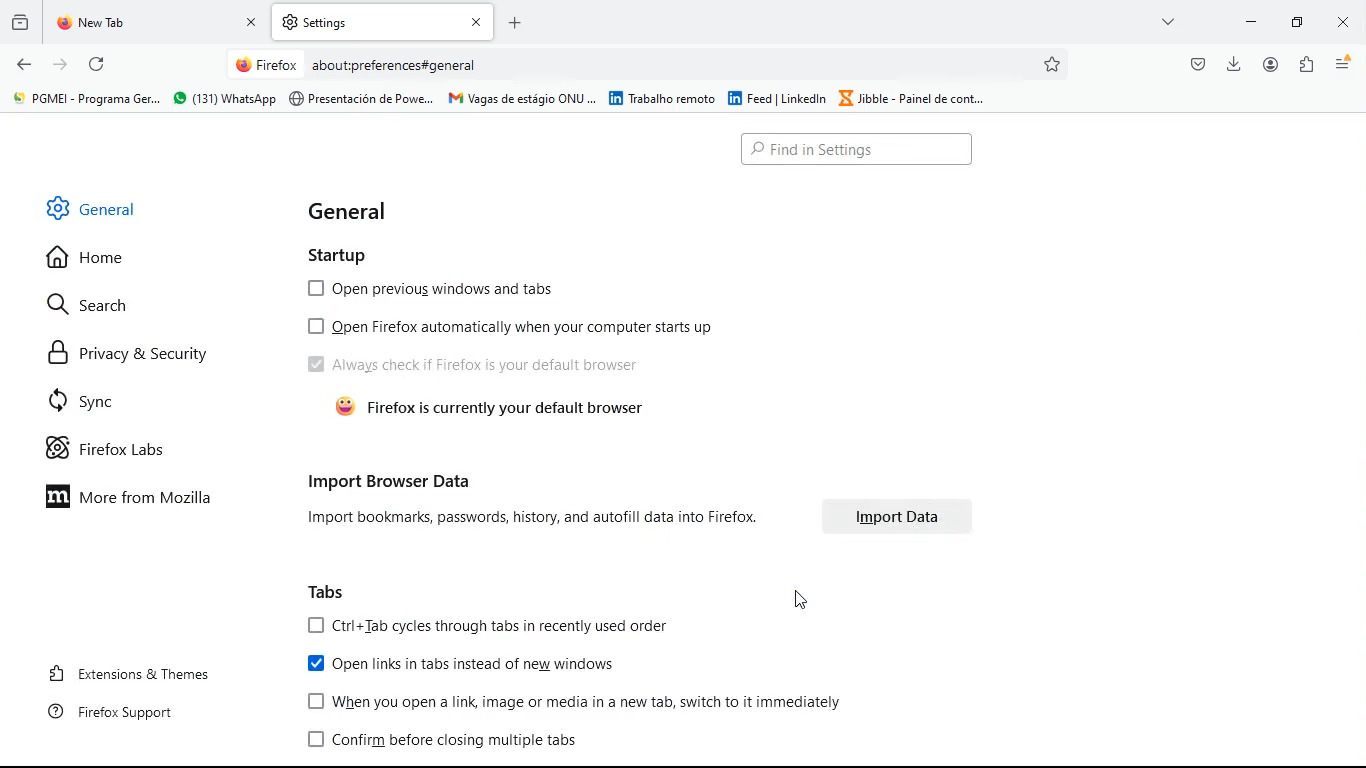 This screenshot has width=1366, height=768. I want to click on download, so click(1235, 64).